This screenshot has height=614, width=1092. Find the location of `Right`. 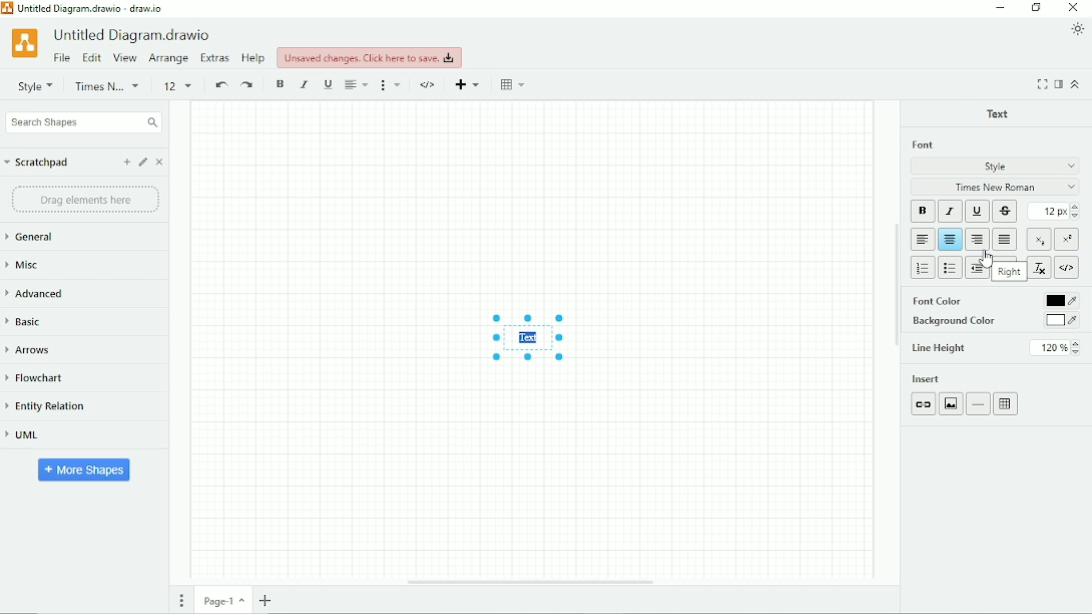

Right is located at coordinates (978, 239).